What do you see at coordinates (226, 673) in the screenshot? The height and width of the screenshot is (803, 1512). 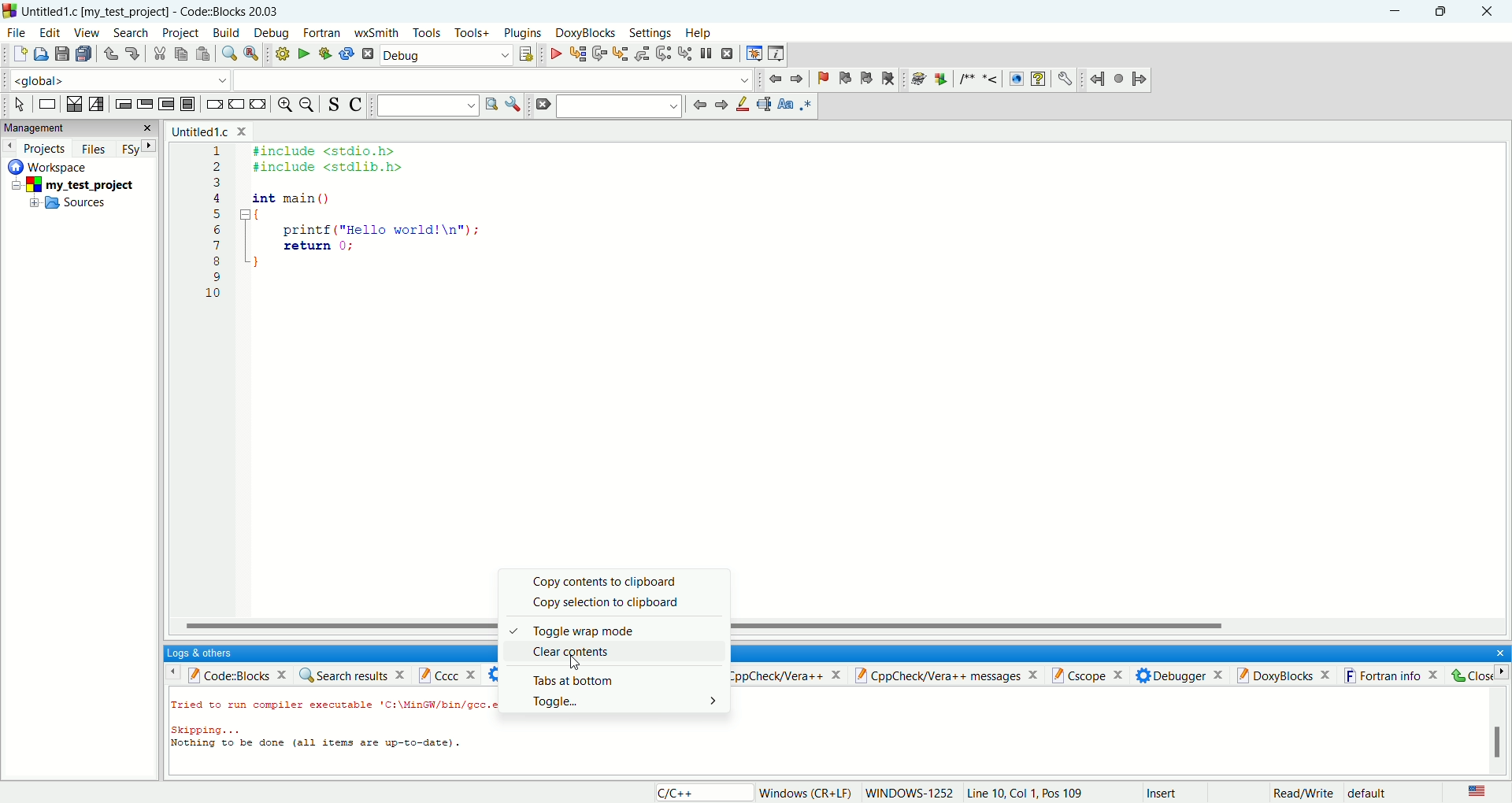 I see `Code:blocks` at bounding box center [226, 673].